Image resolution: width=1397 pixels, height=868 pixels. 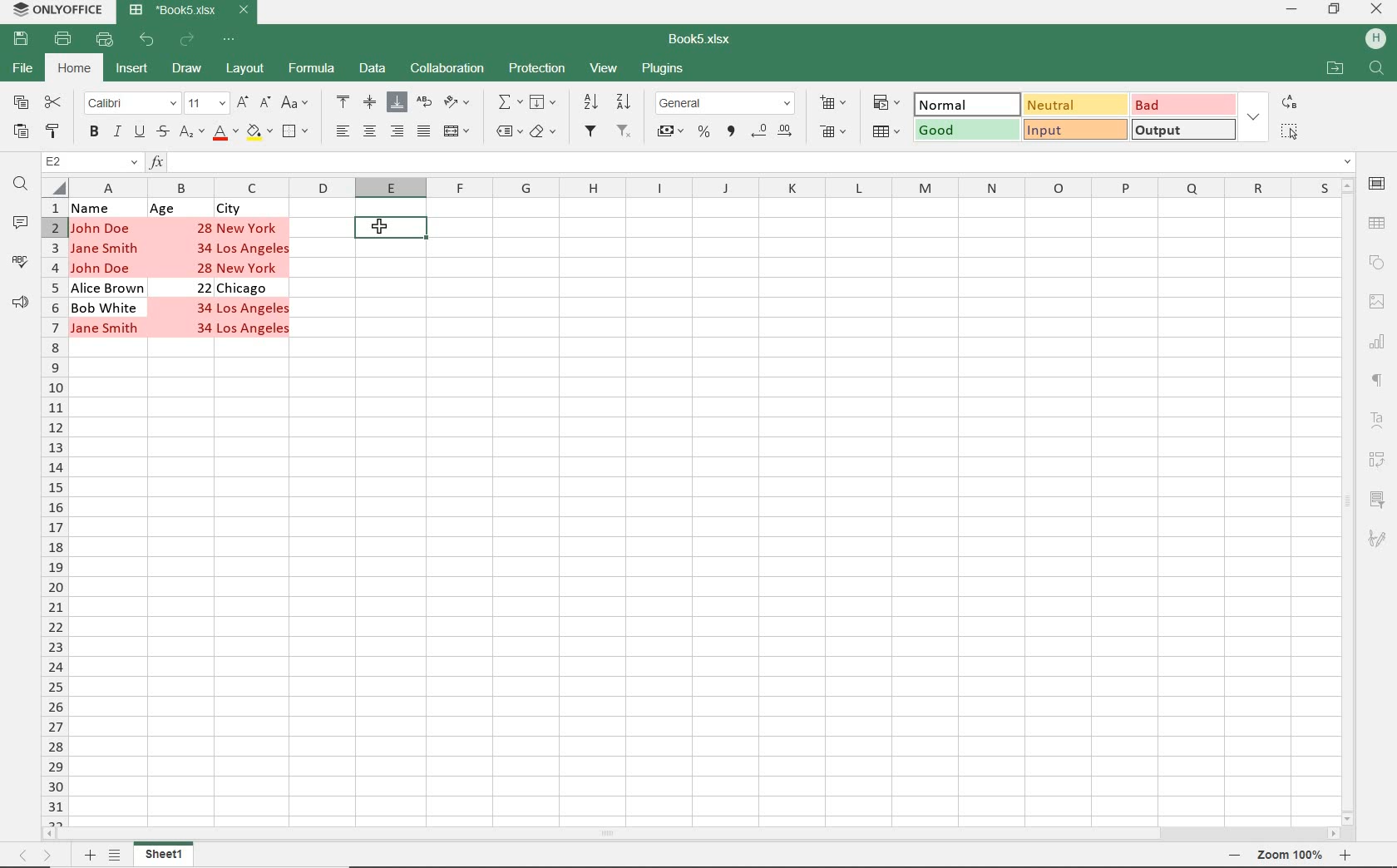 I want to click on Chicago, so click(x=245, y=289).